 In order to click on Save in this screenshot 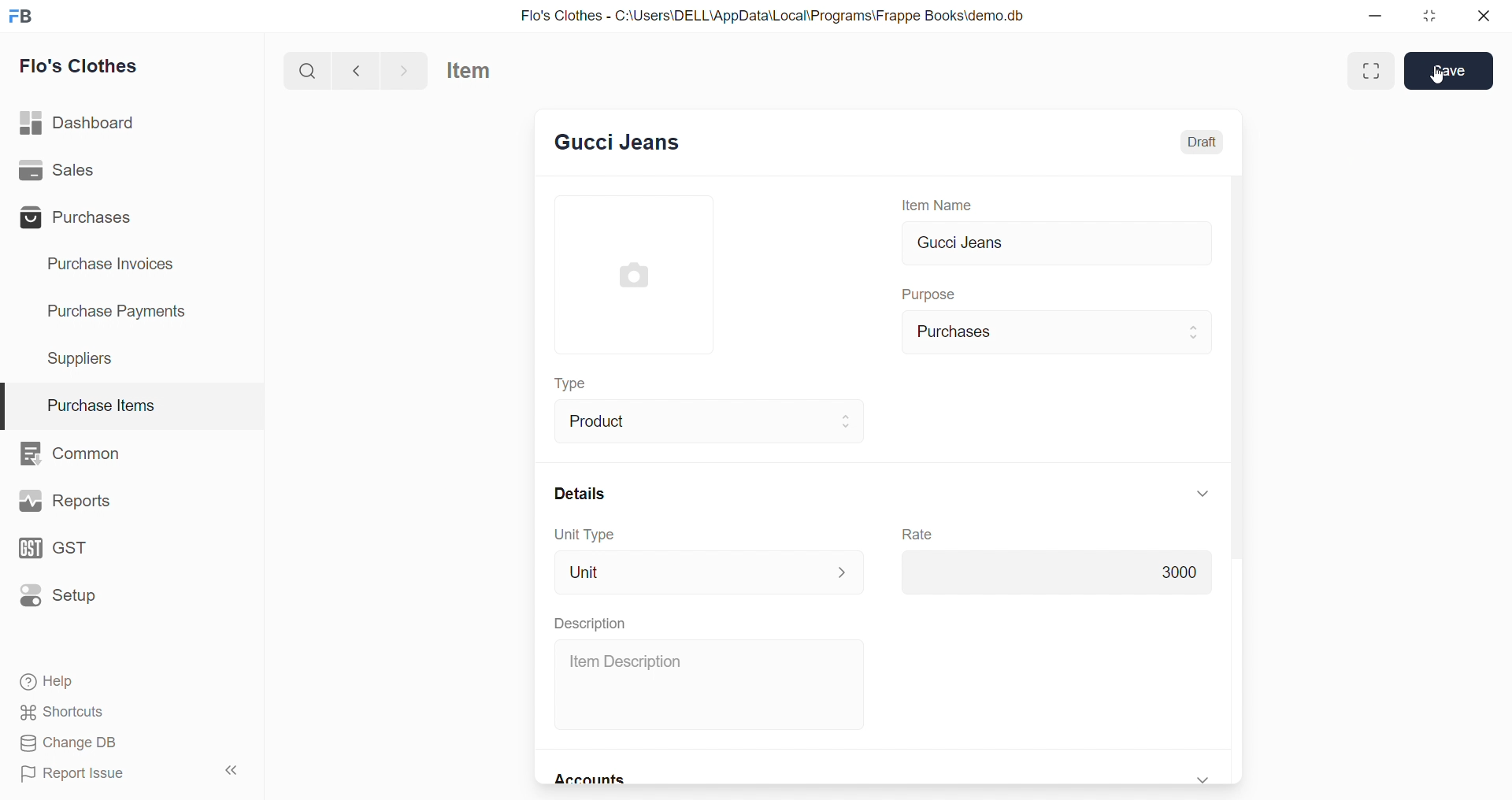, I will do `click(1449, 71)`.